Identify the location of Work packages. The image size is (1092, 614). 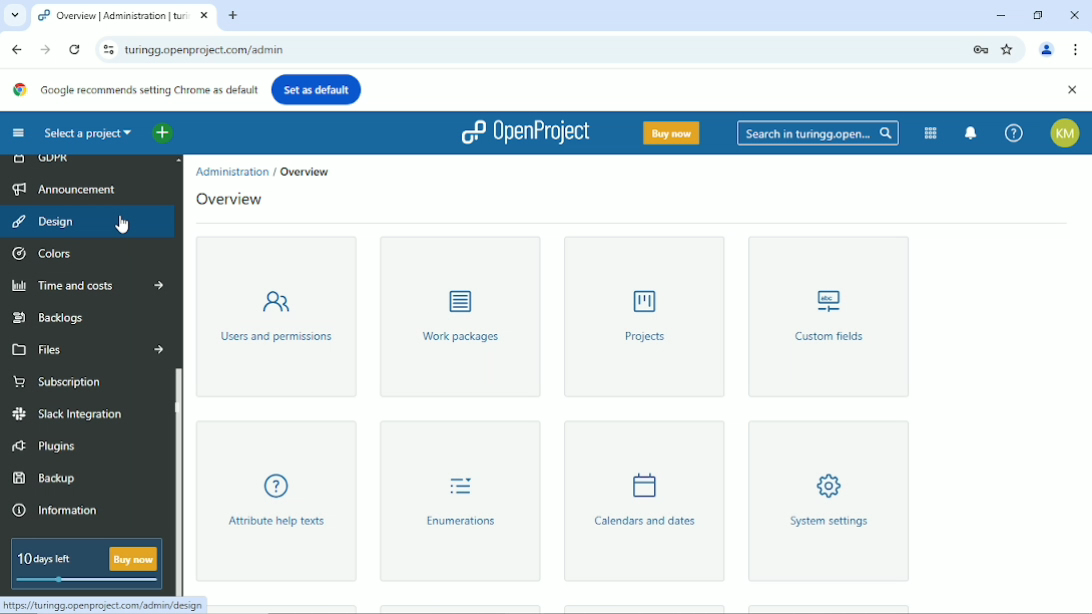
(460, 317).